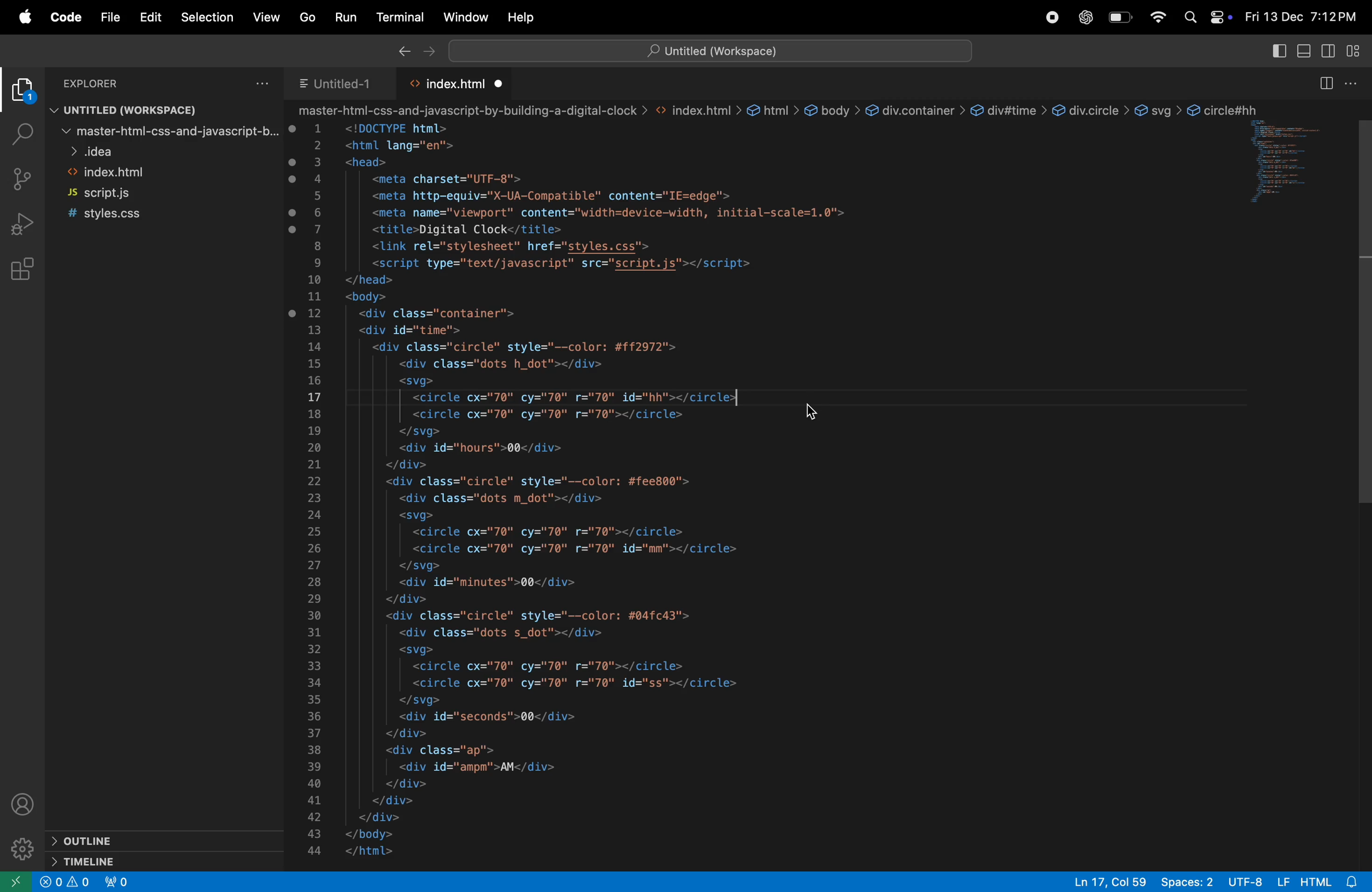  What do you see at coordinates (1245, 881) in the screenshot?
I see `utf 8` at bounding box center [1245, 881].